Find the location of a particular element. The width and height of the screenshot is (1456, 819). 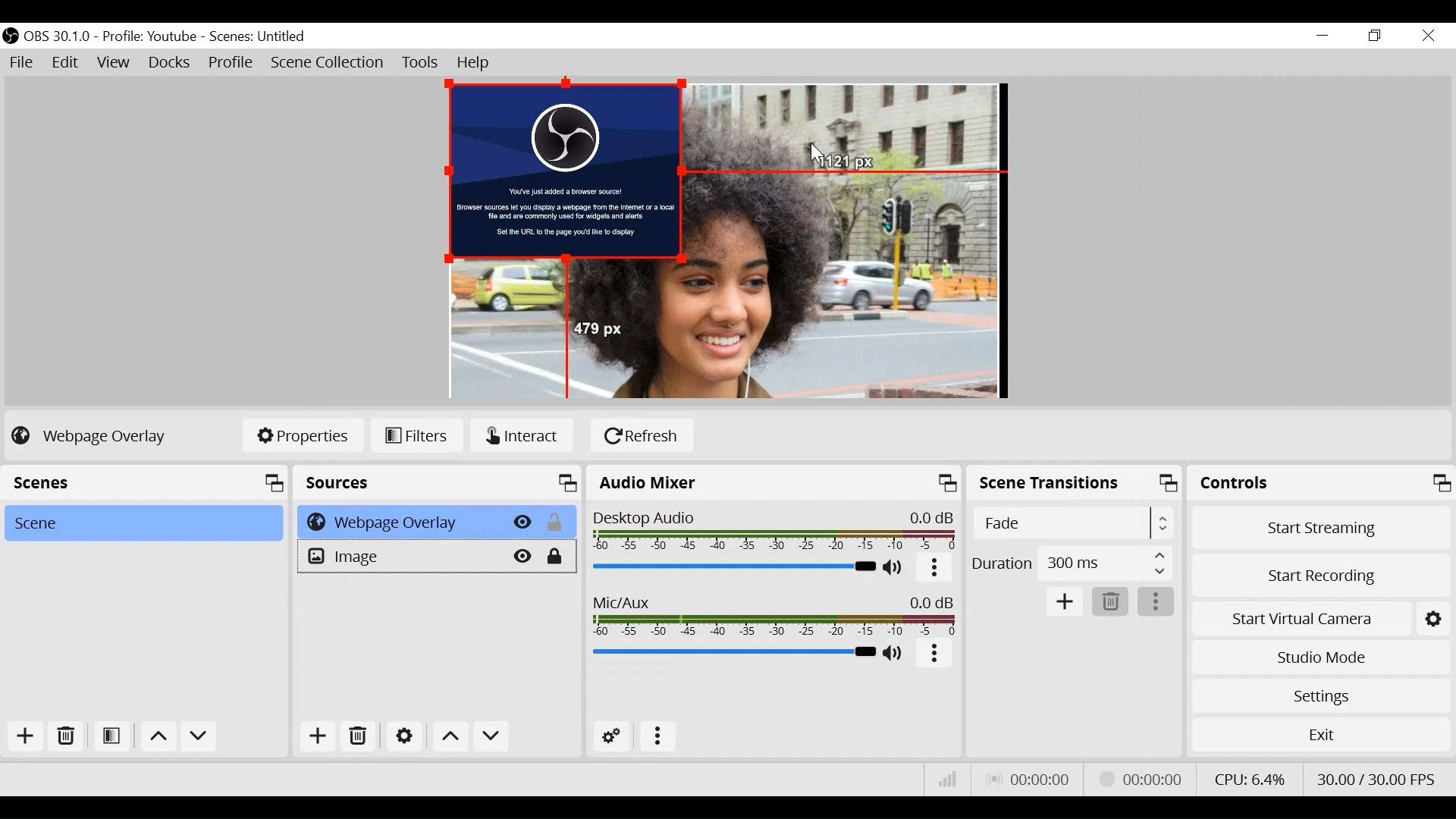

Settings is located at coordinates (1431, 620).